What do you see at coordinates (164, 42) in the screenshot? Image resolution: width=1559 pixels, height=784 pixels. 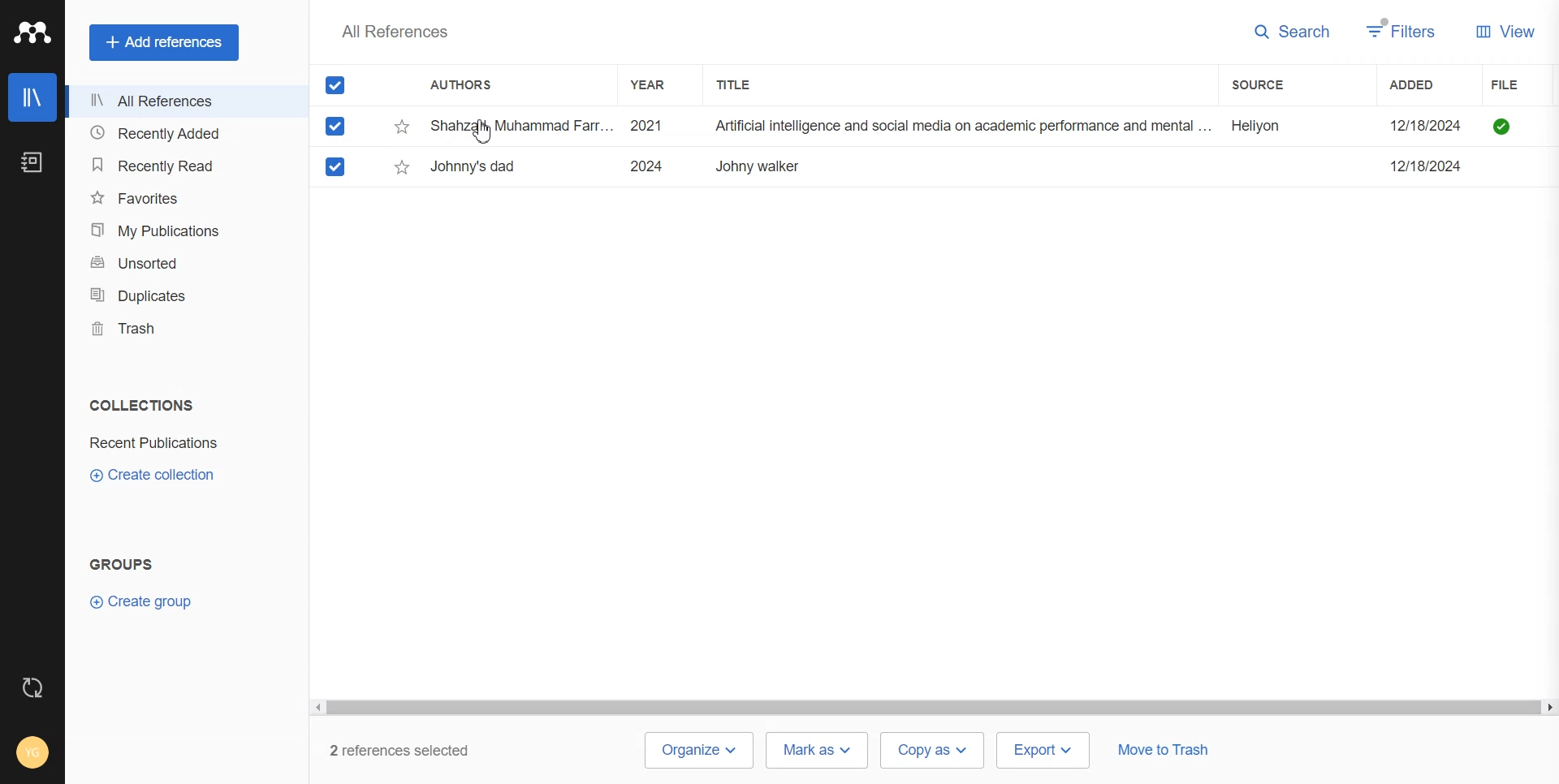 I see `Add references` at bounding box center [164, 42].